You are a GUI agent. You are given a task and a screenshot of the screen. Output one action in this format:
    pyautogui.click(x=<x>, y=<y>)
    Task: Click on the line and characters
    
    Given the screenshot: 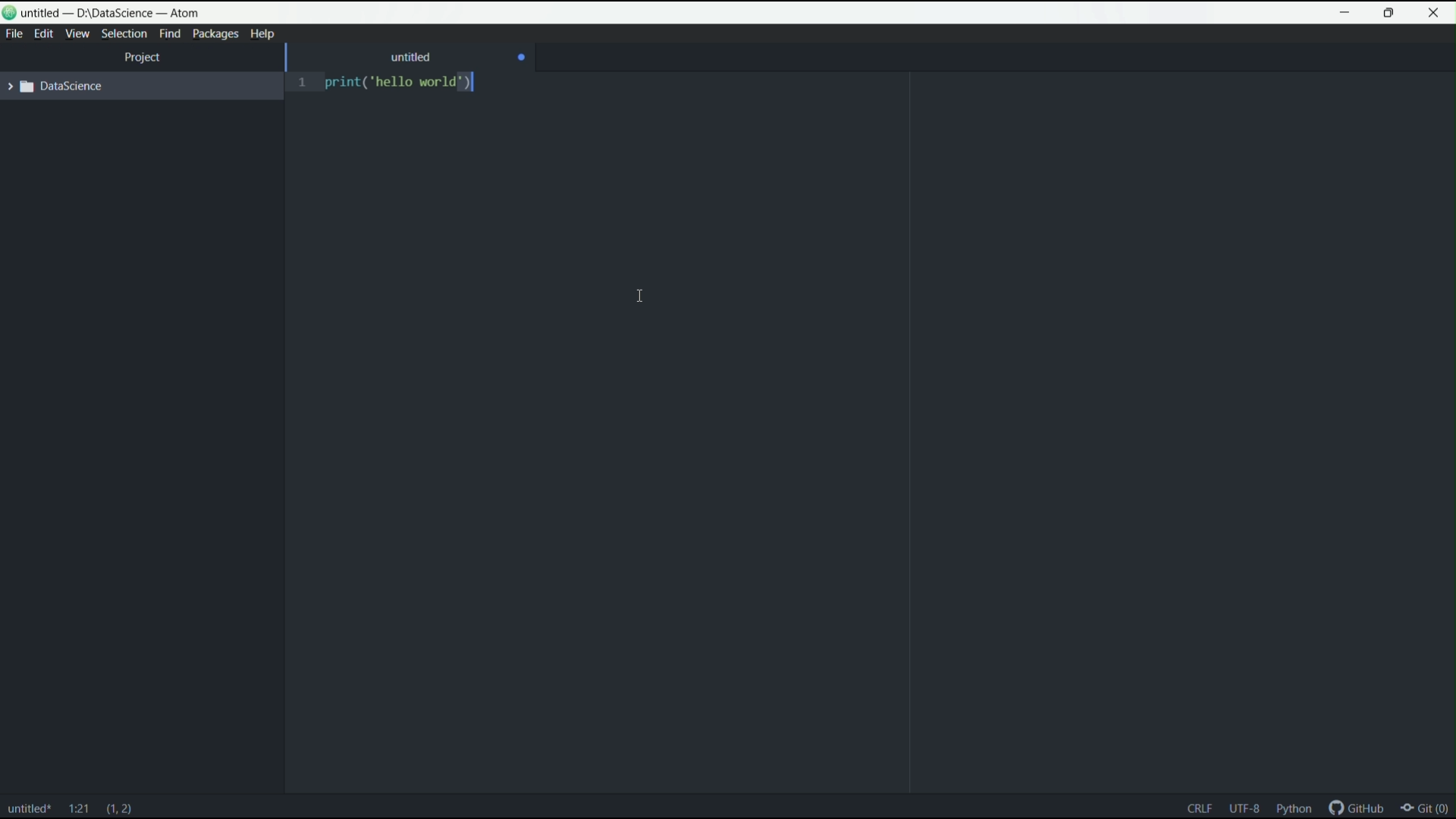 What is the action you would take?
    pyautogui.click(x=120, y=810)
    